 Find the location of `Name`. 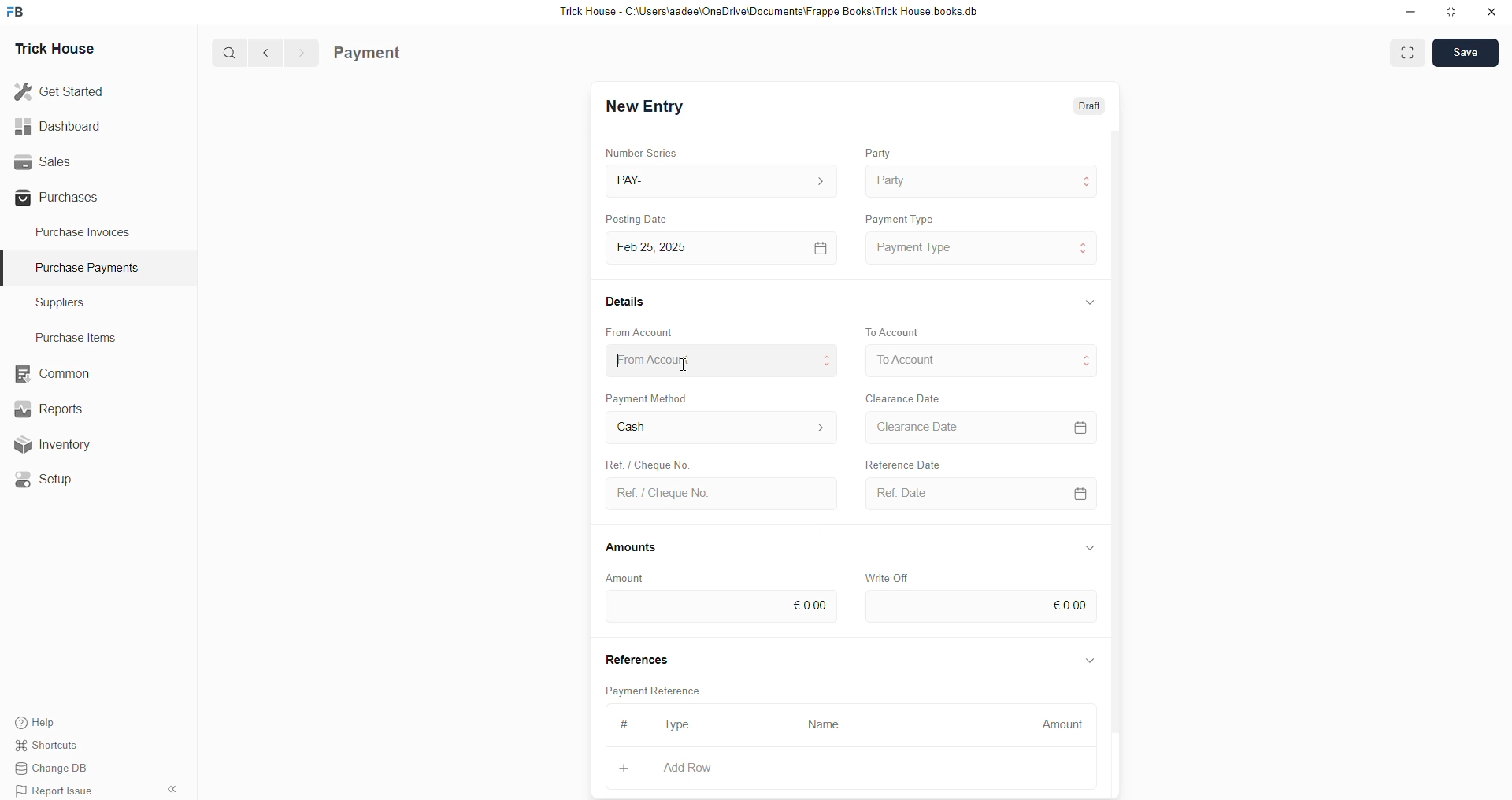

Name is located at coordinates (828, 724).